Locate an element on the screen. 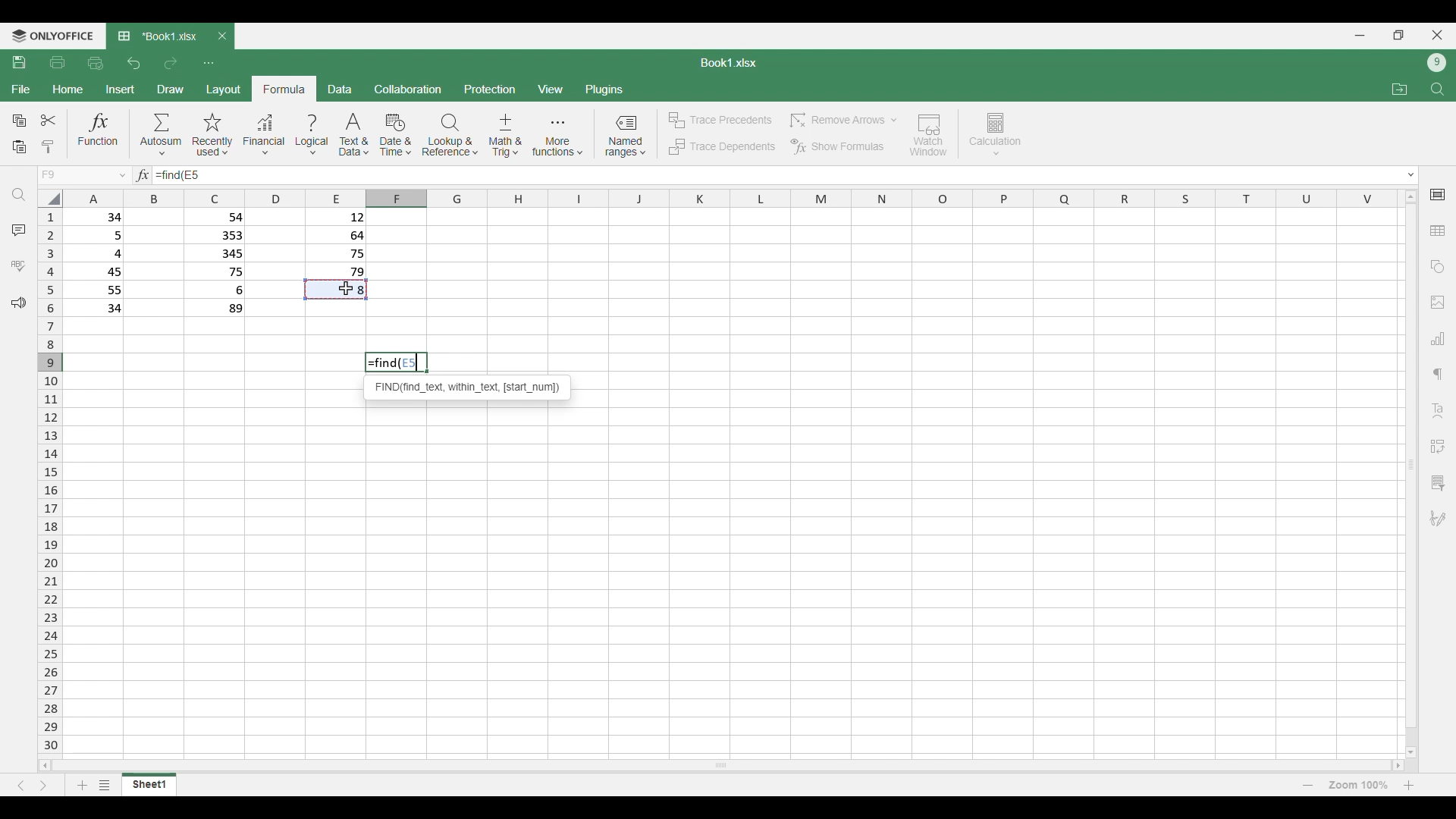  Customize quick access toolbar is located at coordinates (209, 64).